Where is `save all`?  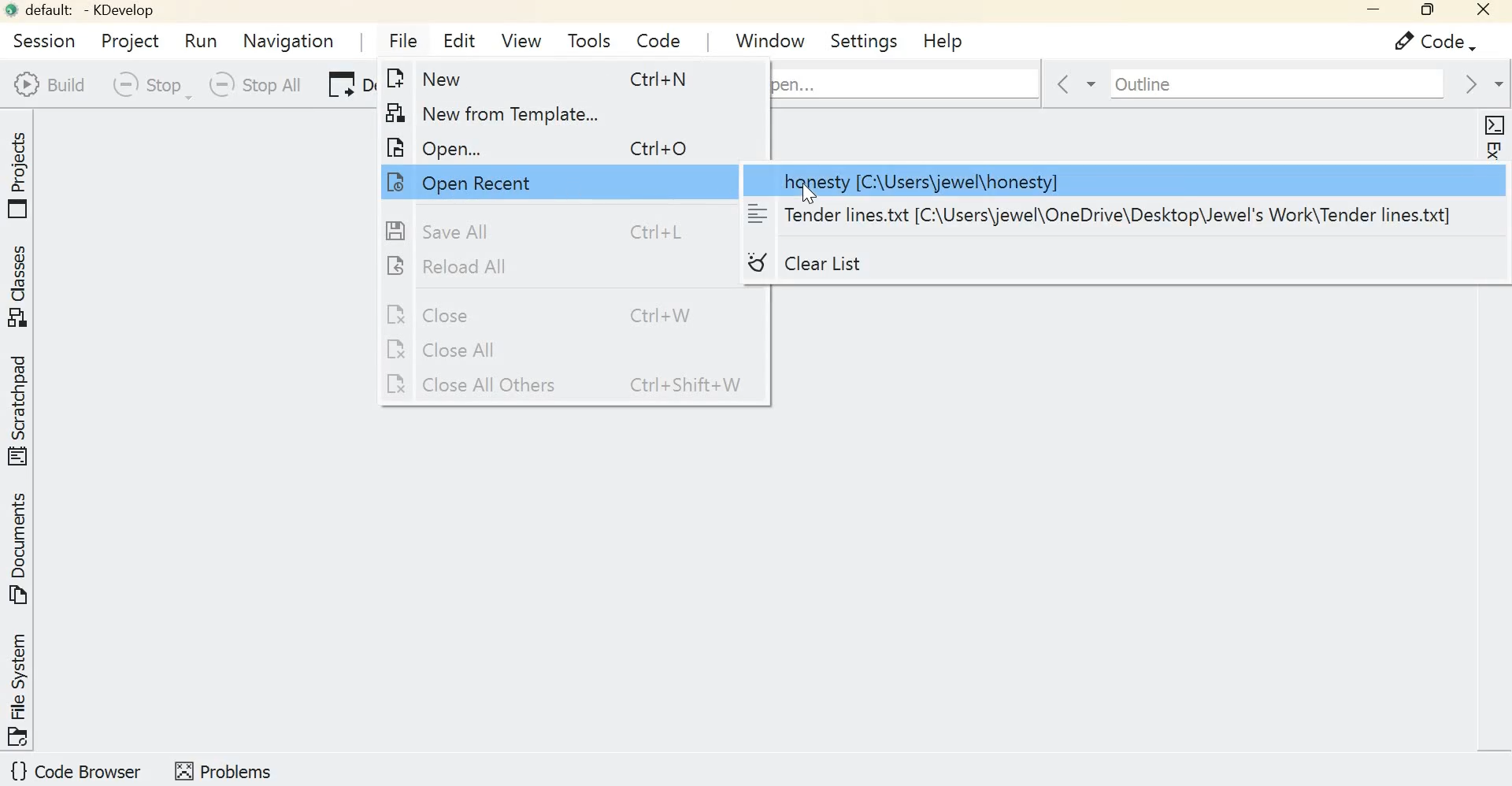 save all is located at coordinates (541, 231).